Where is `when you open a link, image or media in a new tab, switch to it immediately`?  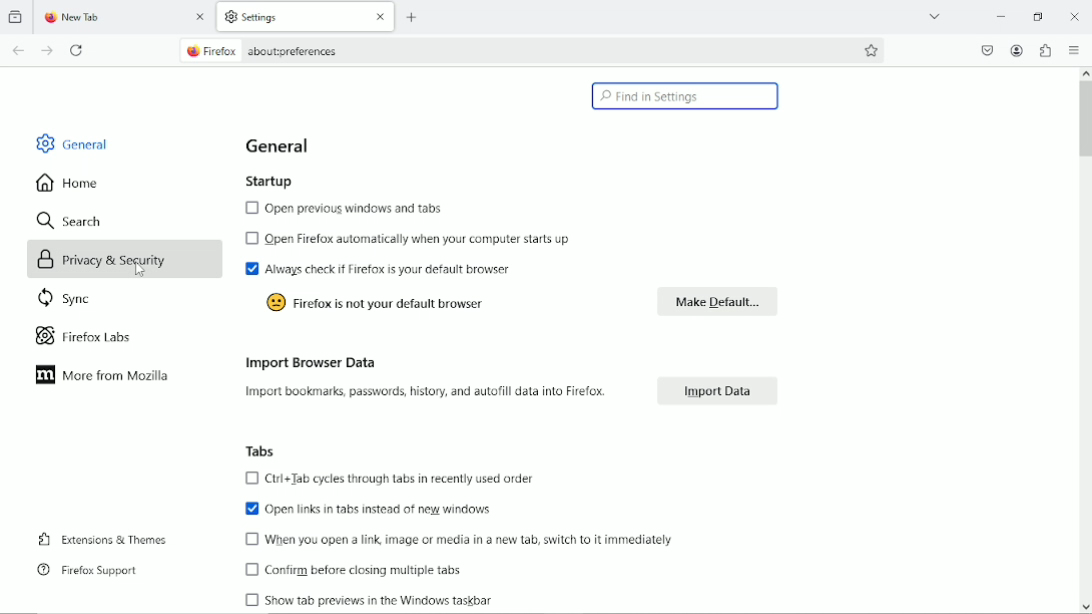 when you open a link, image or media in a new tab, switch to it immediately is located at coordinates (473, 542).